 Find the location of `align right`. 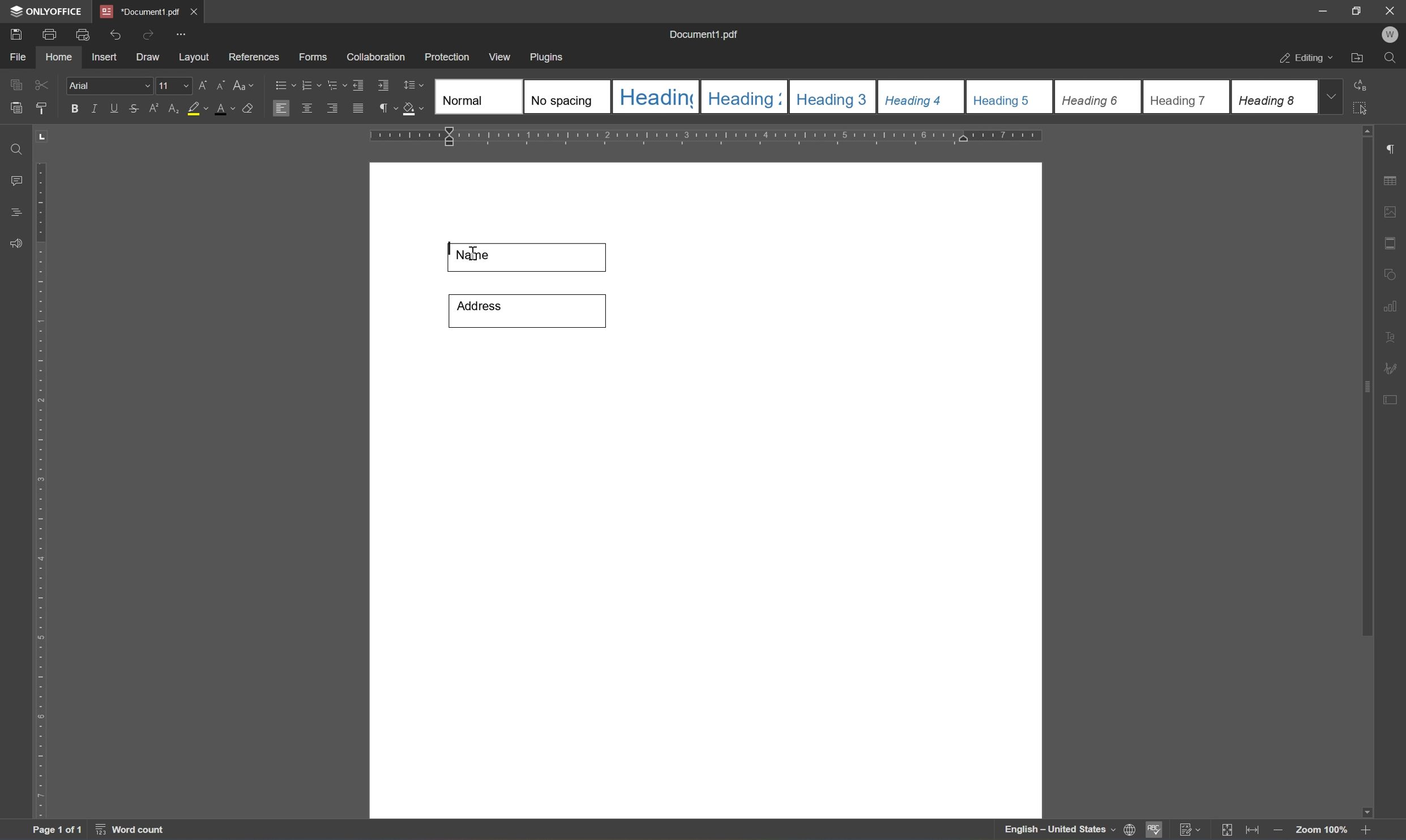

align right is located at coordinates (332, 108).